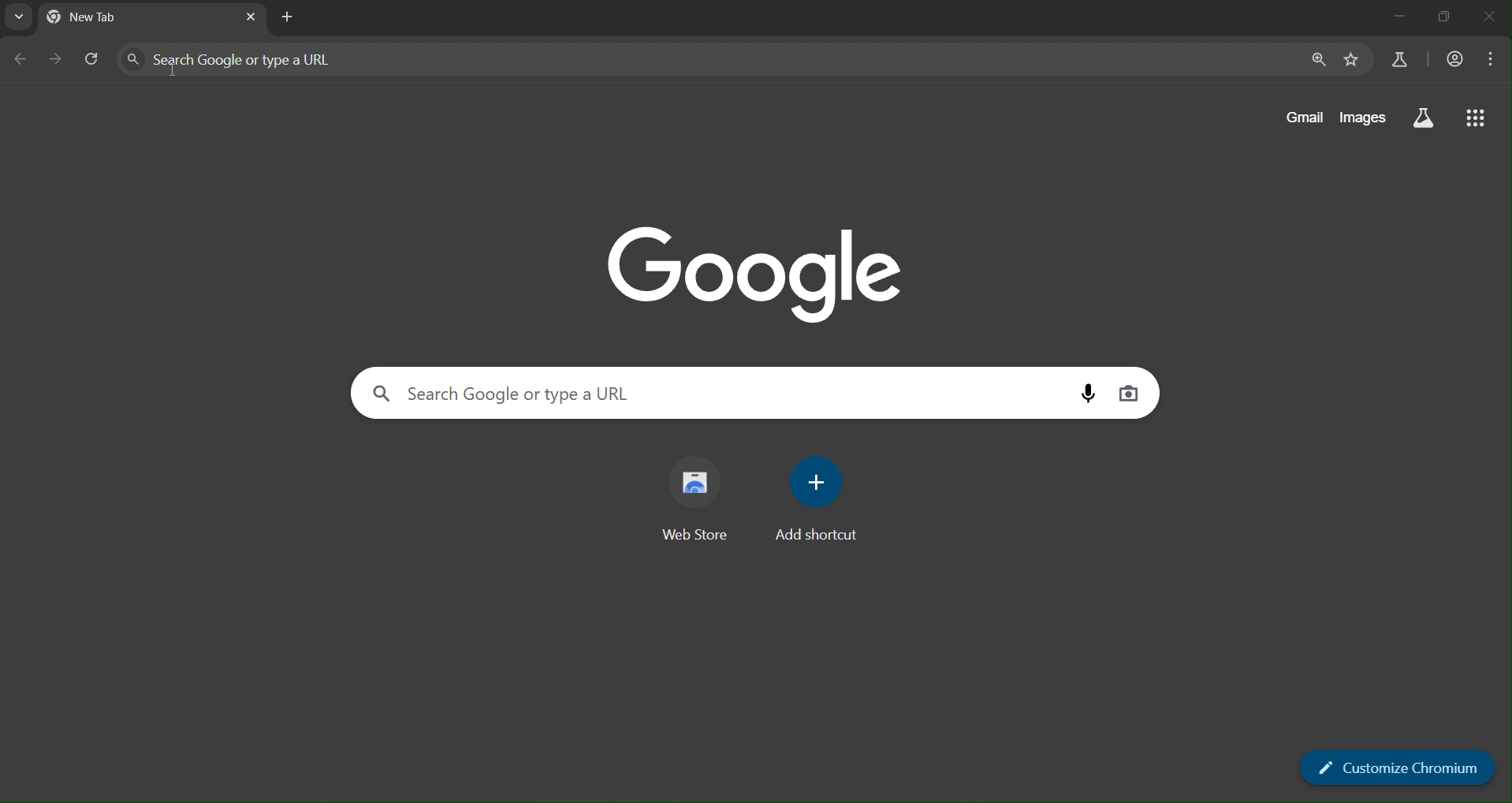 Image resolution: width=1512 pixels, height=803 pixels. What do you see at coordinates (1493, 58) in the screenshot?
I see `menu` at bounding box center [1493, 58].